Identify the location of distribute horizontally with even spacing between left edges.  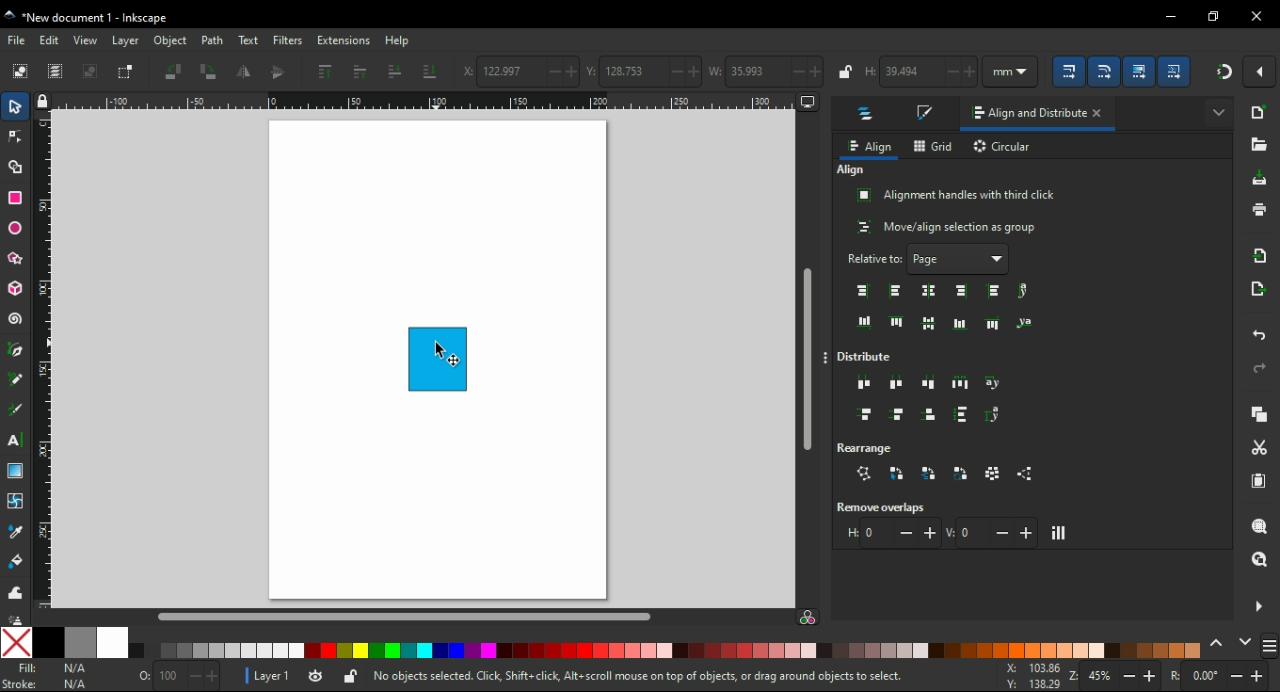
(863, 384).